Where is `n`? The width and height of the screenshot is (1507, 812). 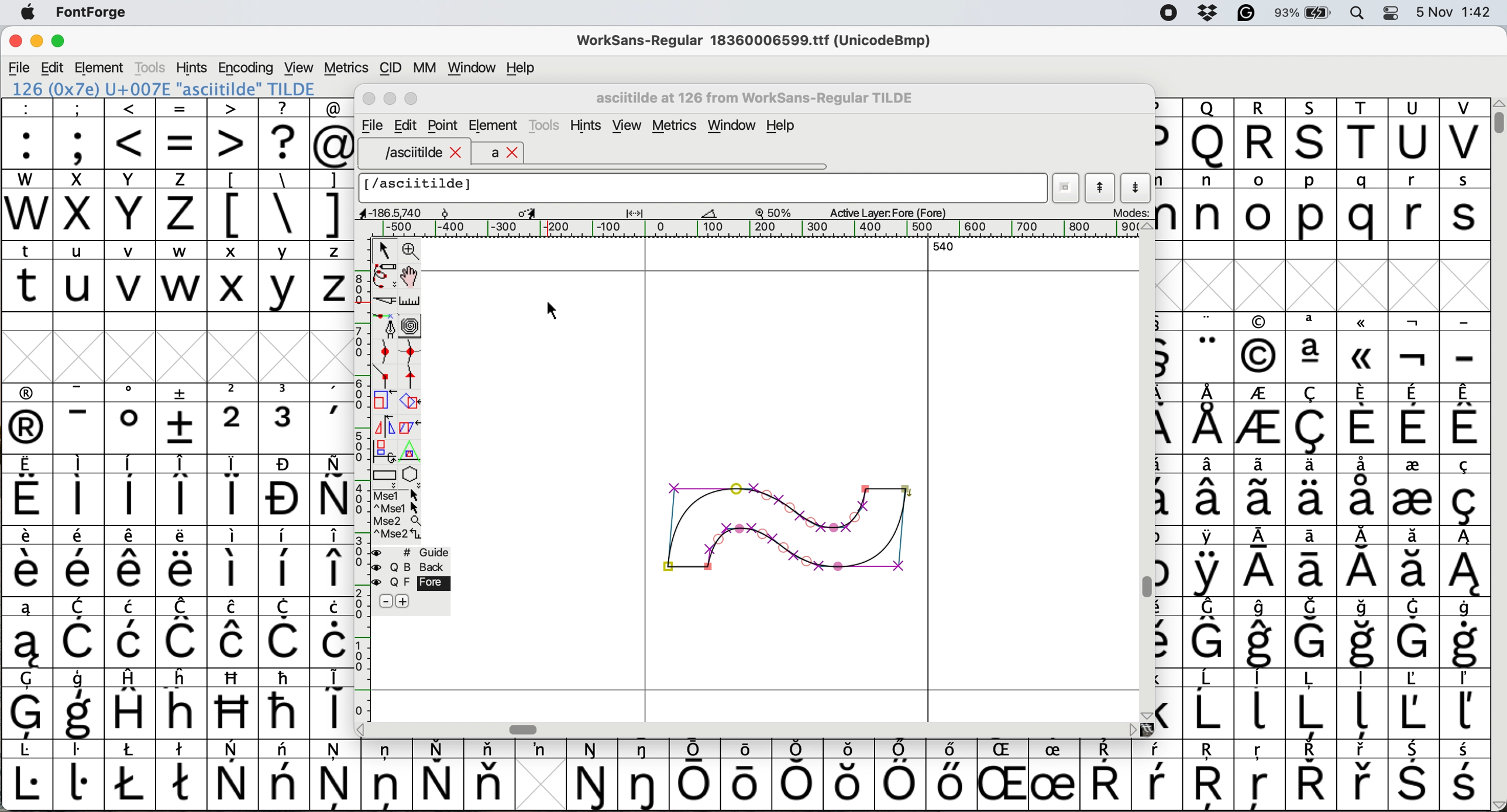
n is located at coordinates (1208, 204).